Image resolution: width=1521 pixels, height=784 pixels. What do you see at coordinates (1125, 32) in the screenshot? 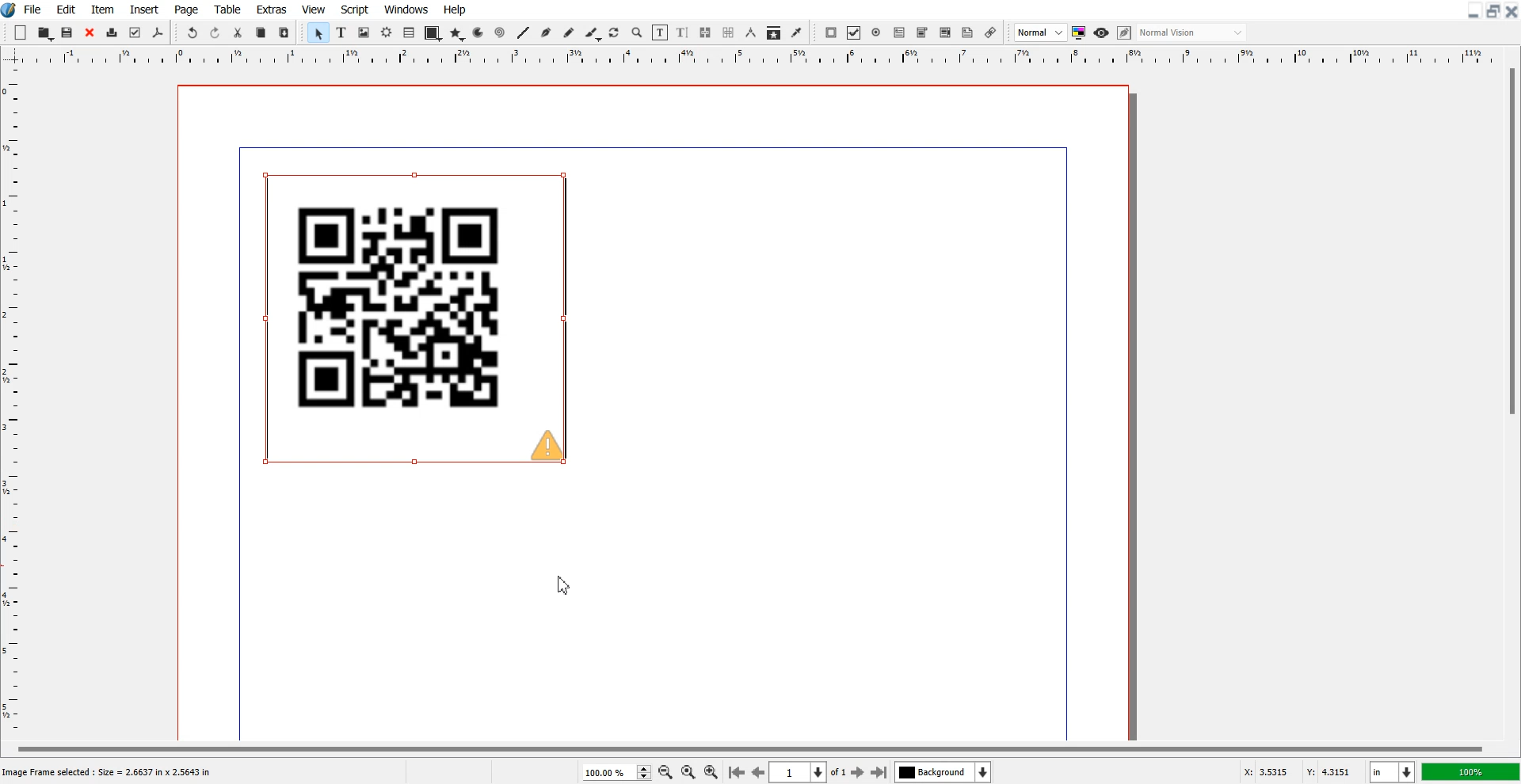
I see `Edit in preview mode` at bounding box center [1125, 32].